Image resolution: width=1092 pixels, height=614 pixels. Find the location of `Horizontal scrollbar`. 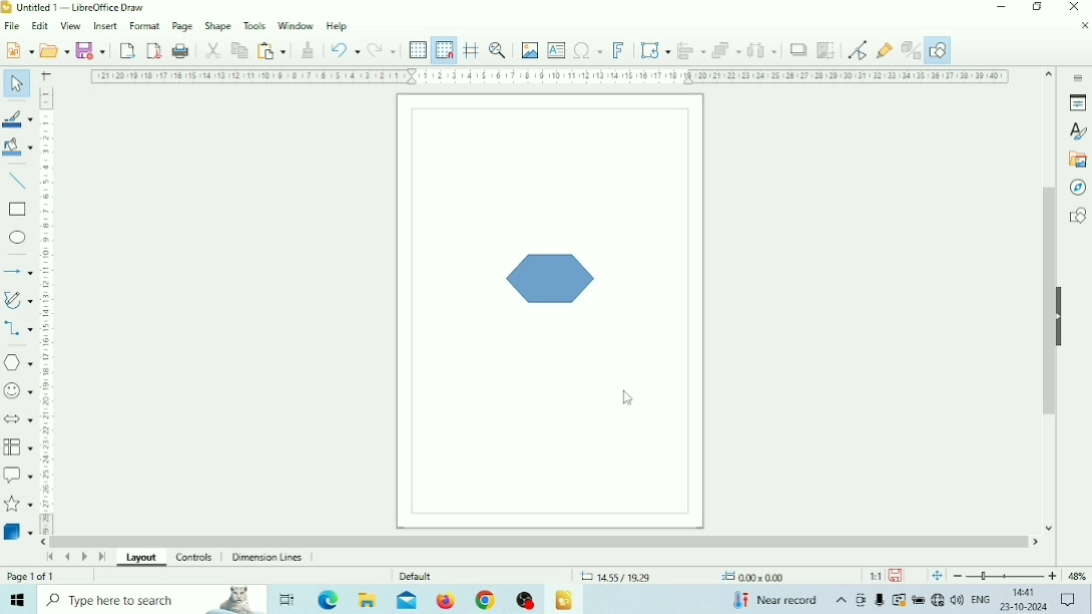

Horizontal scrollbar is located at coordinates (540, 541).